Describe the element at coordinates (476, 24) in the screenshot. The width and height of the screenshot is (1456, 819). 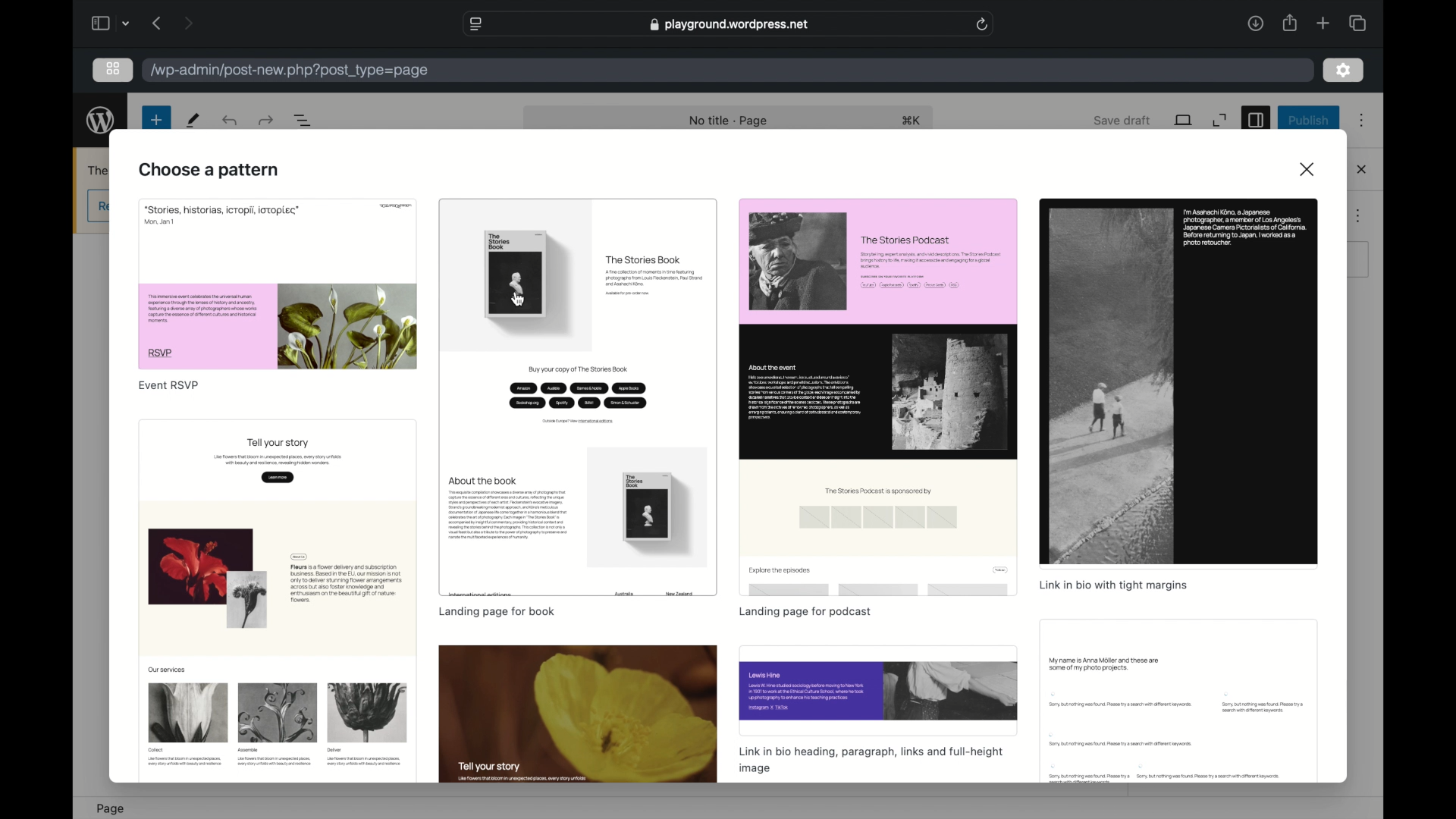
I see `website settings` at that location.